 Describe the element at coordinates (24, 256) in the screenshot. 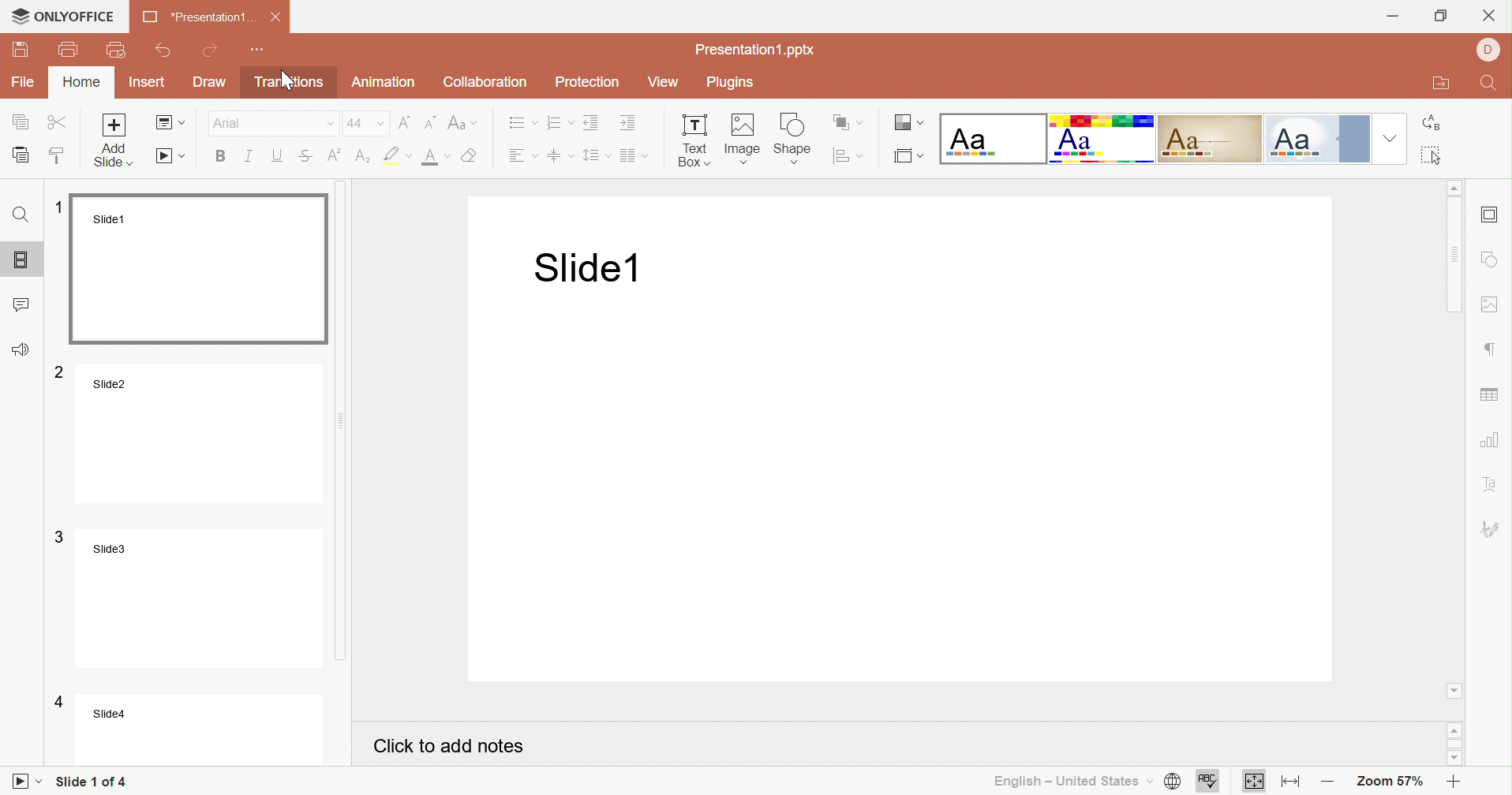

I see `Slides` at that location.